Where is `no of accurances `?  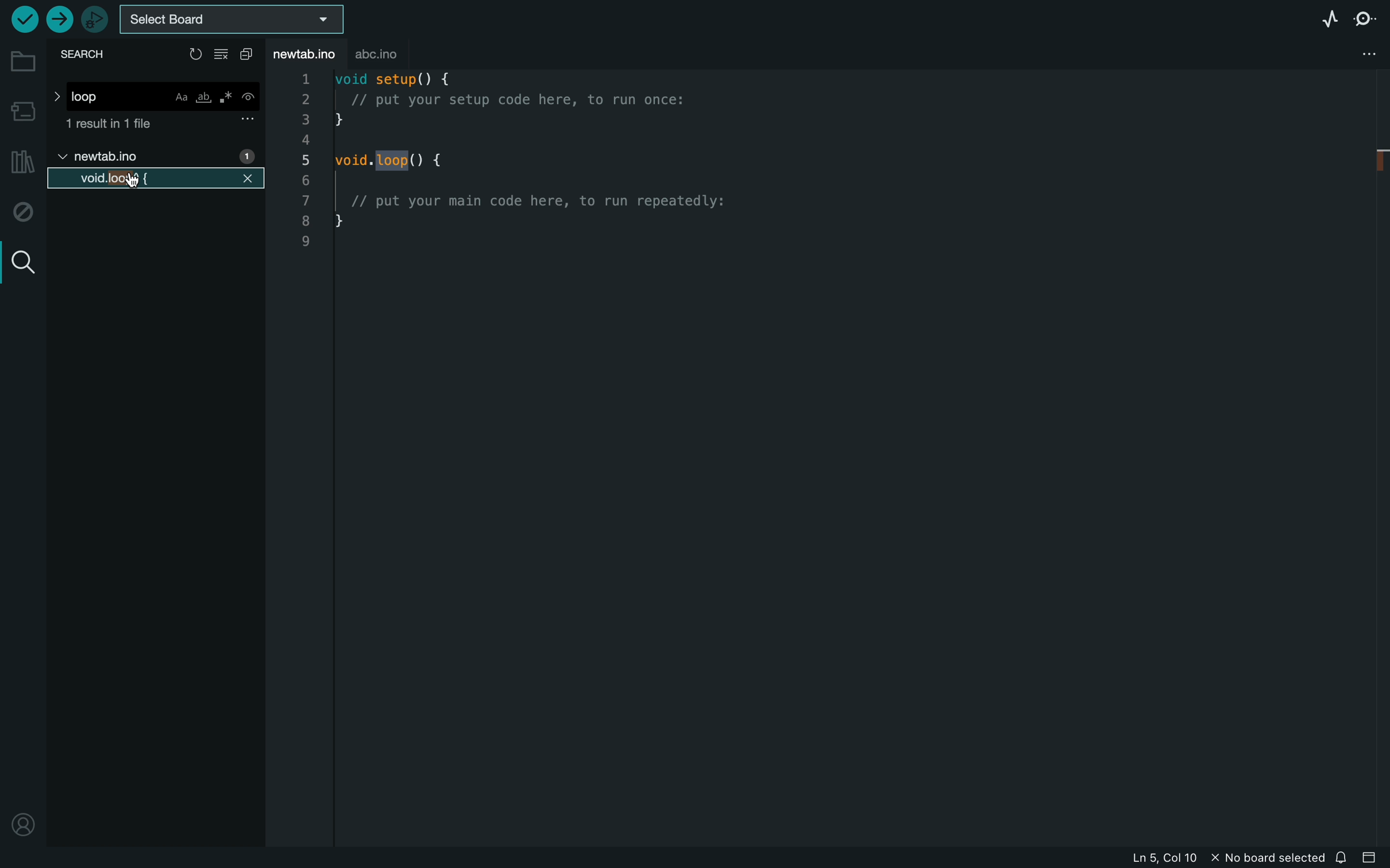
no of accurances  is located at coordinates (245, 156).